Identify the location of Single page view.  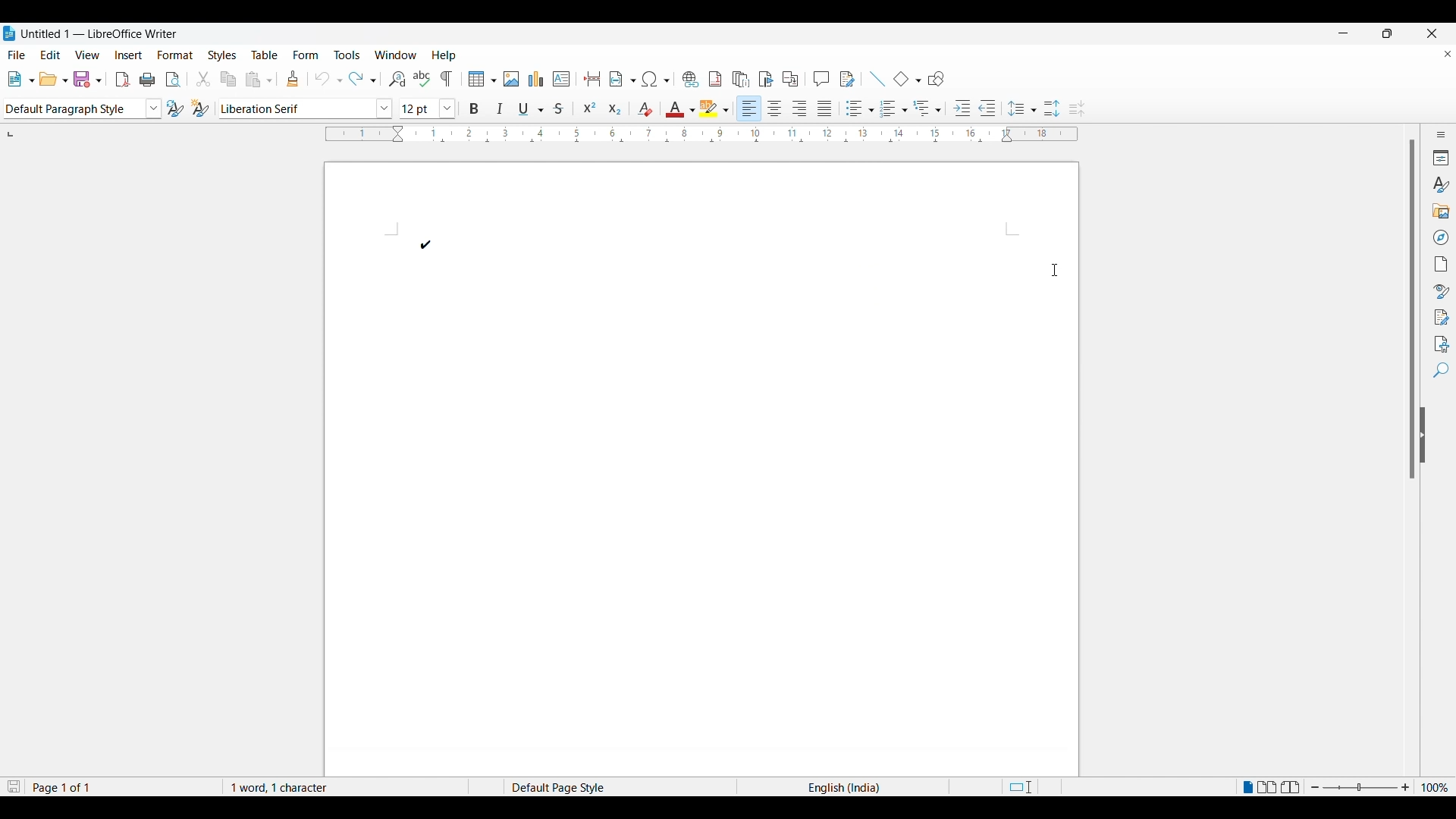
(1247, 785).